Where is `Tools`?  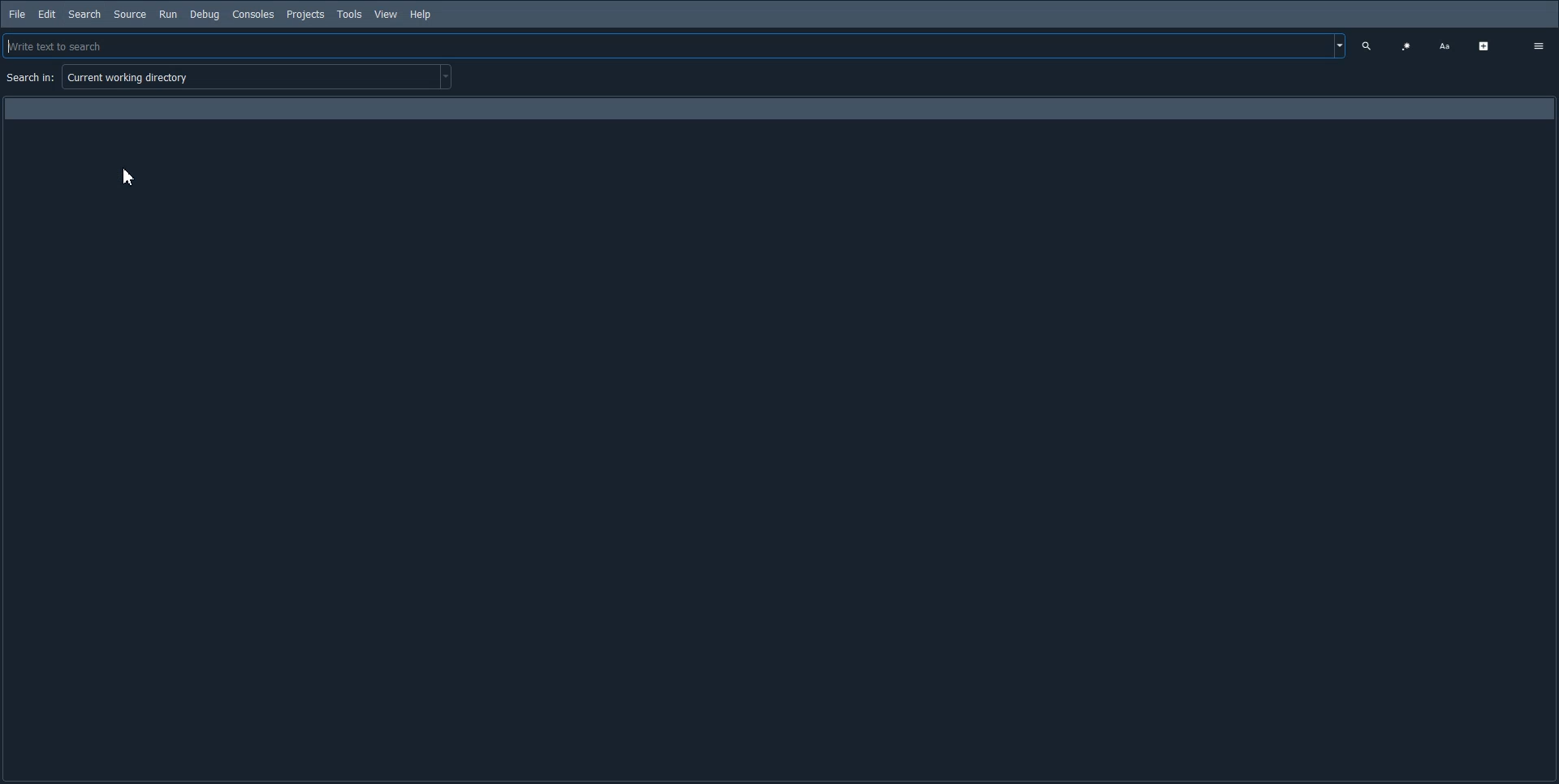
Tools is located at coordinates (349, 13).